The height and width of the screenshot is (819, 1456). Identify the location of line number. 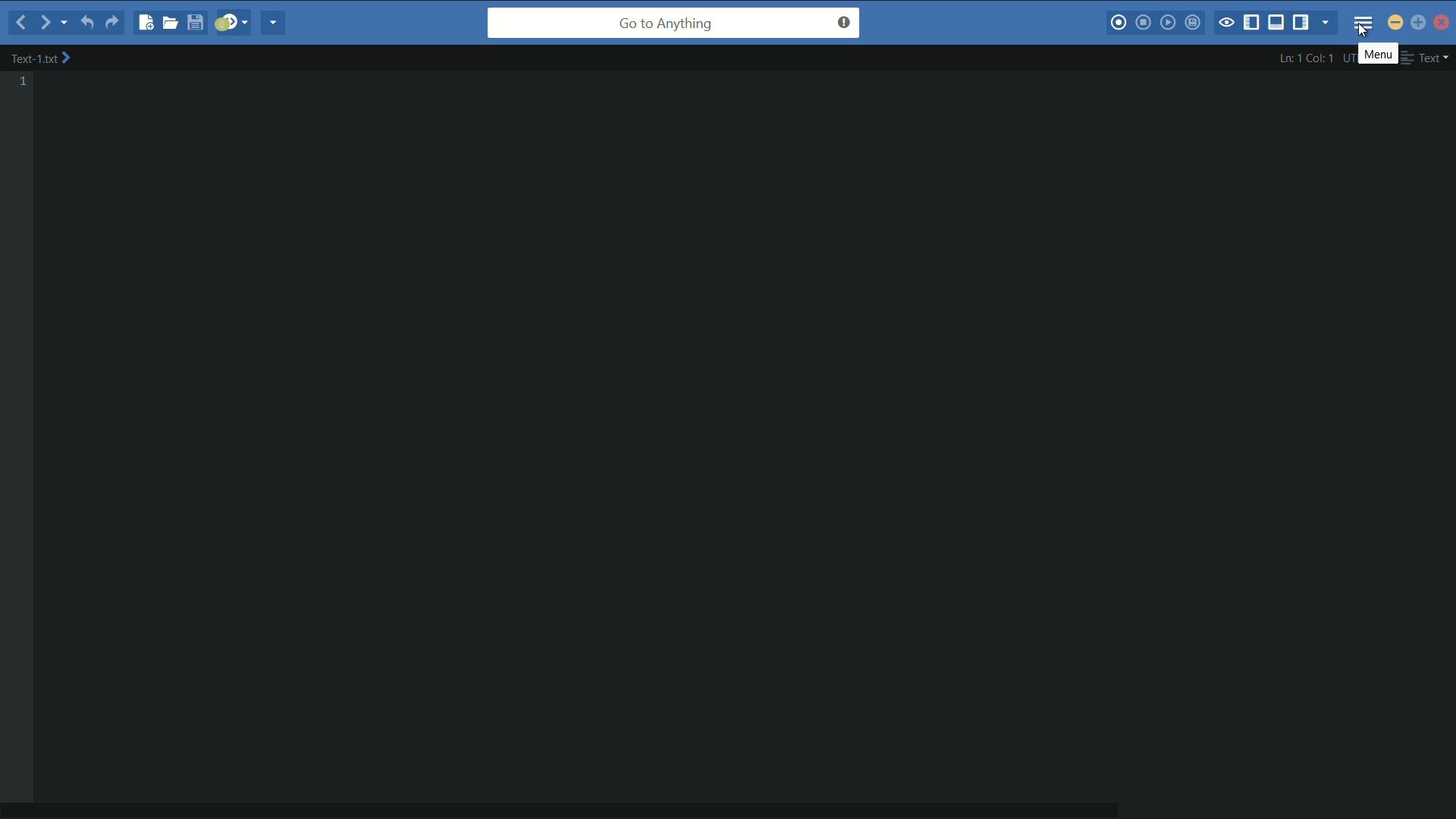
(24, 82).